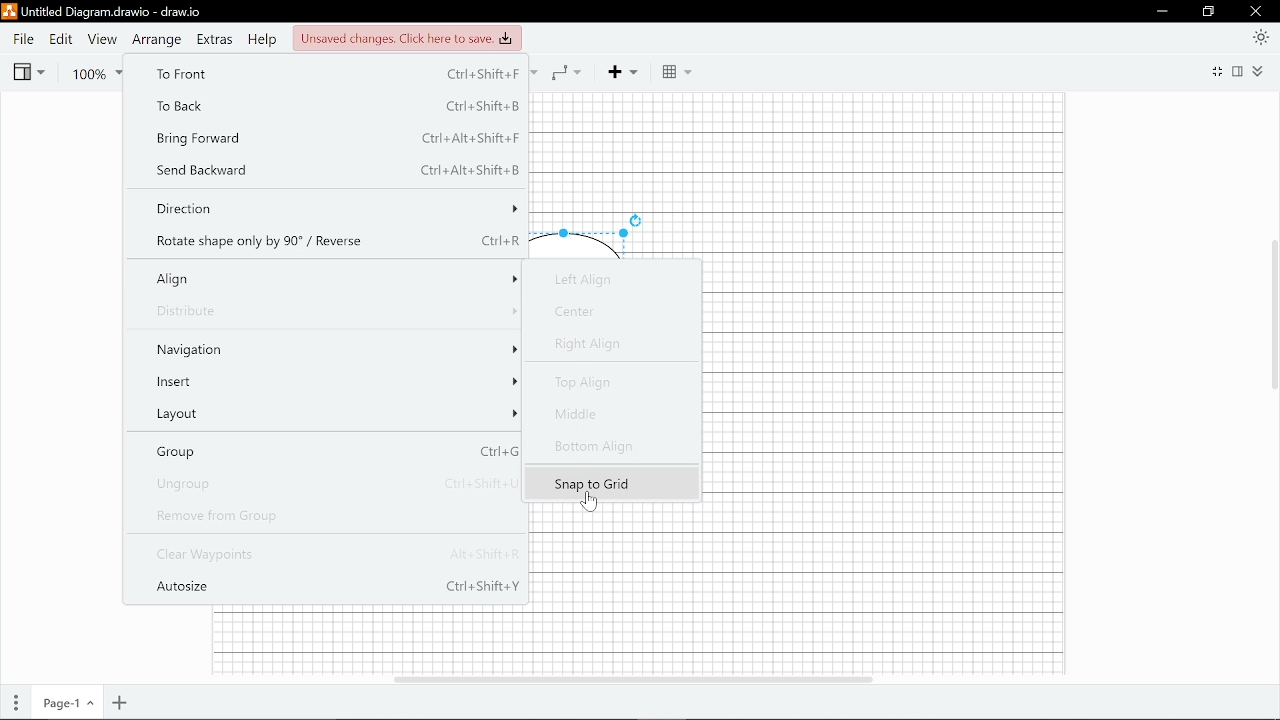 The image size is (1280, 720). Describe the element at coordinates (28, 72) in the screenshot. I see `View` at that location.